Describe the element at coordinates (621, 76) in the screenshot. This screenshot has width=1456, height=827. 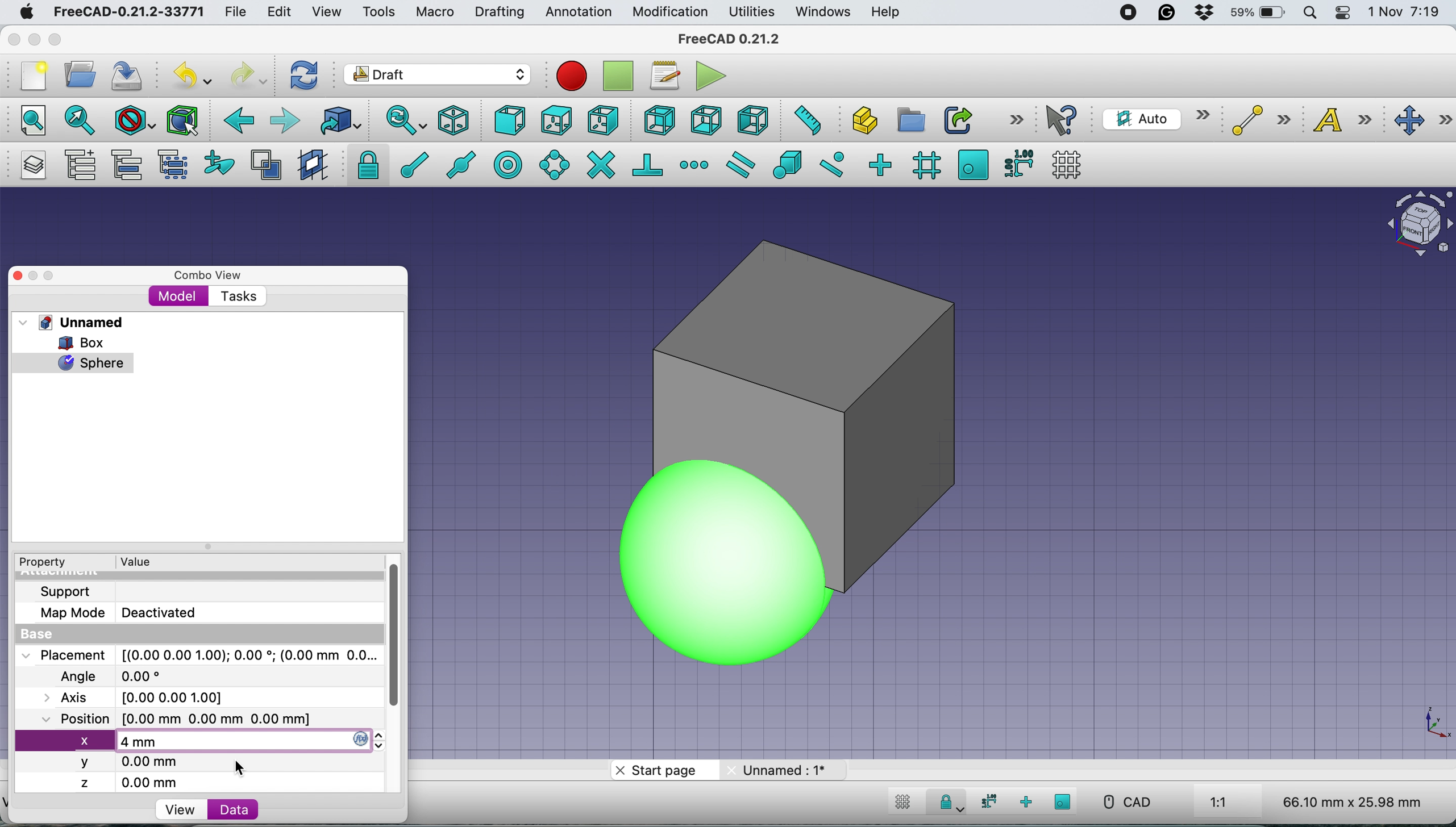
I see `stop recording macros` at that location.